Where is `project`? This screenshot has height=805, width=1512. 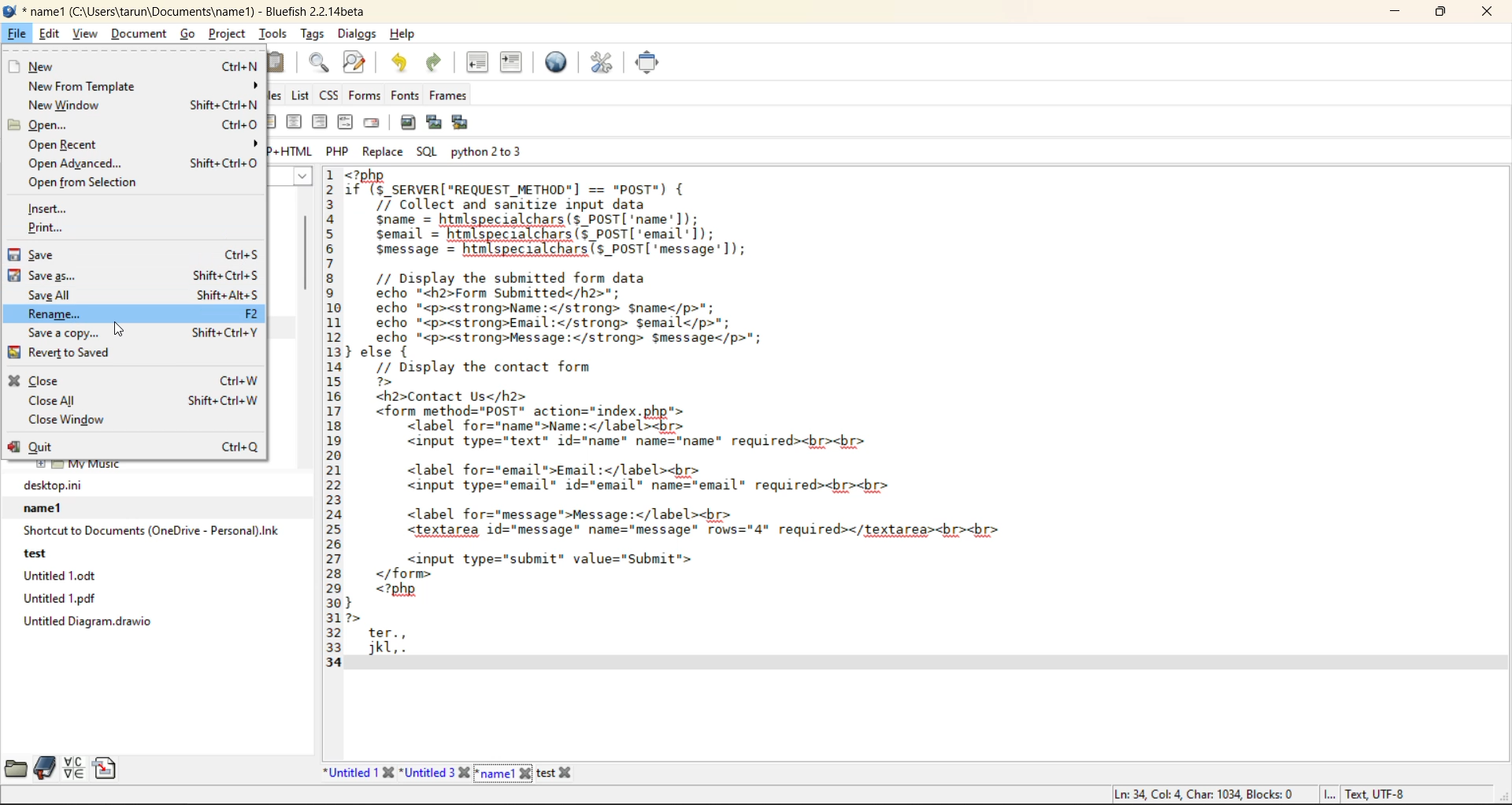 project is located at coordinates (228, 34).